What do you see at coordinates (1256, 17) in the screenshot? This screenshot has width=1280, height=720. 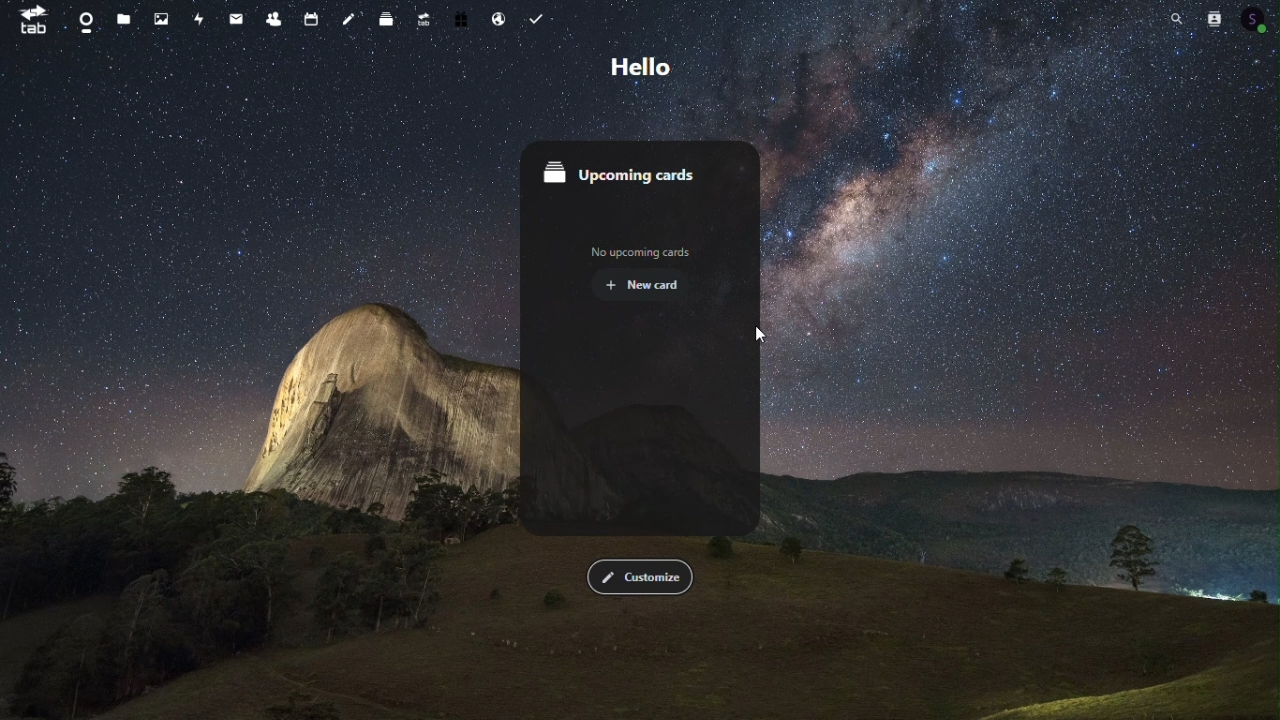 I see `Account icon` at bounding box center [1256, 17].